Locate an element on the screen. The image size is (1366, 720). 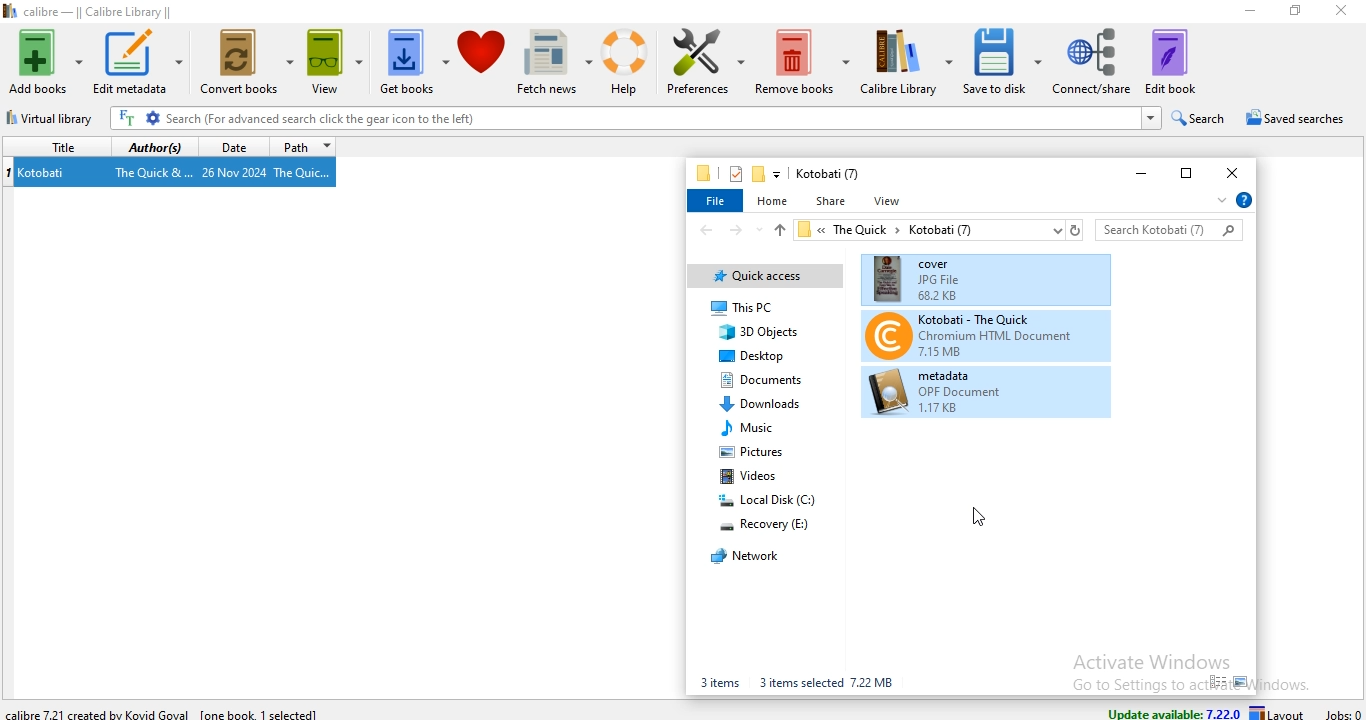
restore is located at coordinates (1183, 171).